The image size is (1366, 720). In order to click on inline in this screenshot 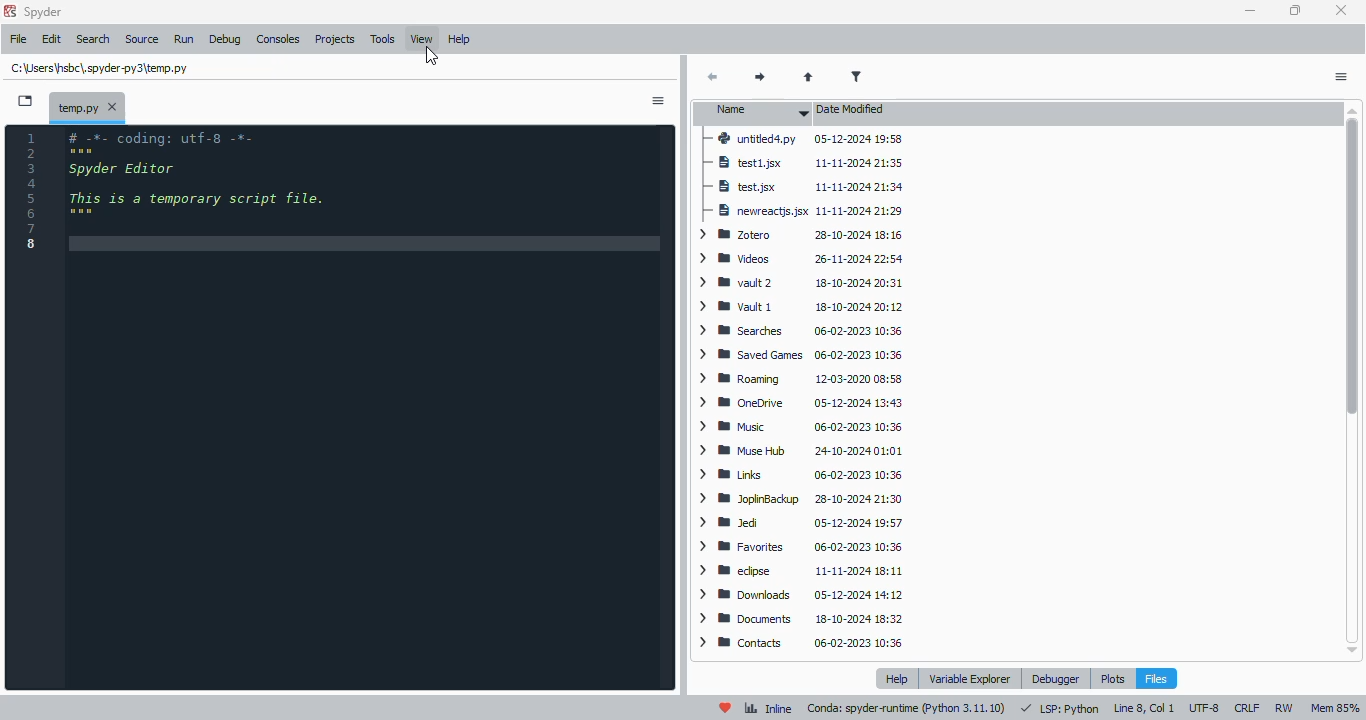, I will do `click(768, 709)`.